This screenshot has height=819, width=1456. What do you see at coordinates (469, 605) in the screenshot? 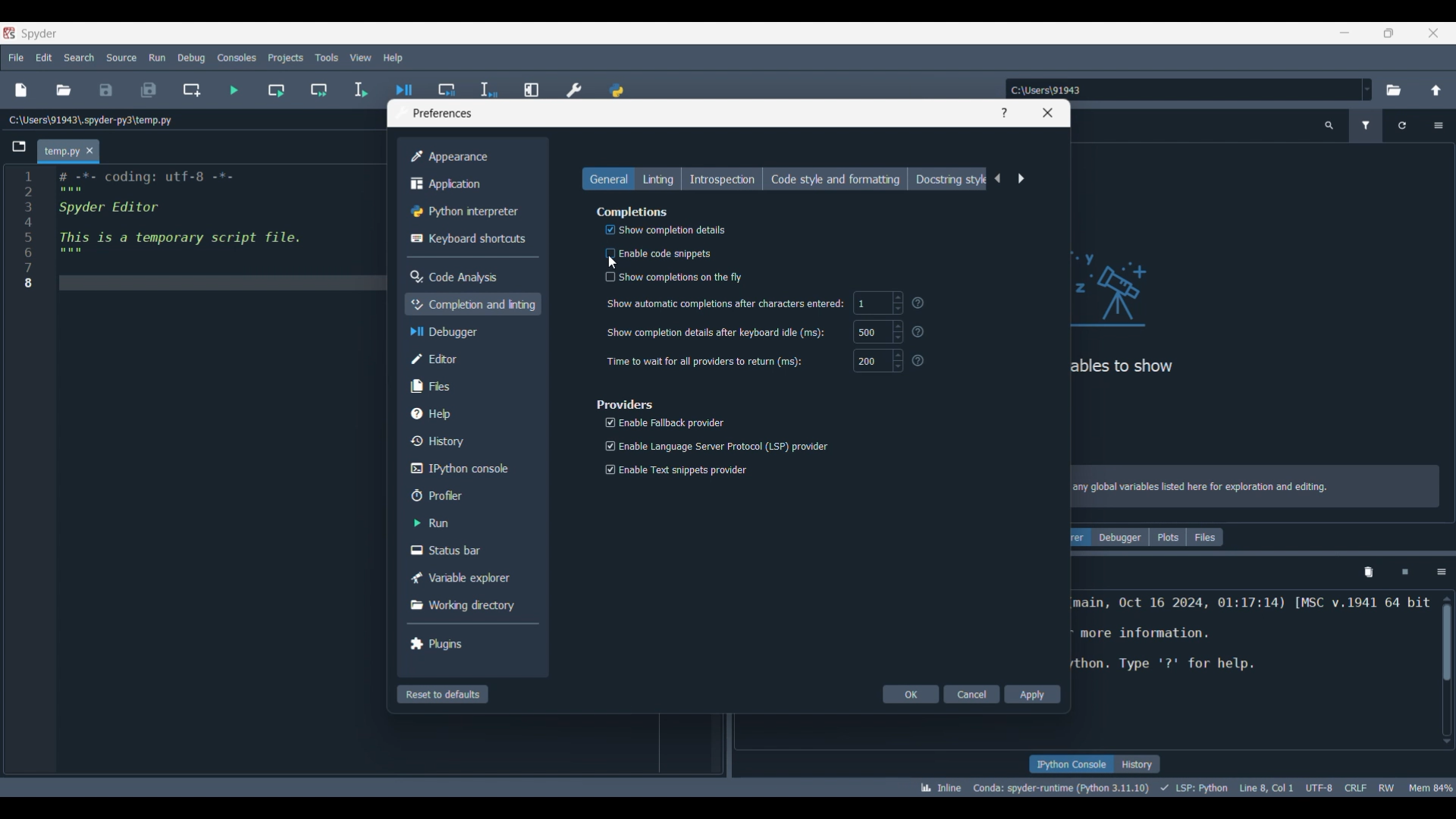
I see `Working directory` at bounding box center [469, 605].